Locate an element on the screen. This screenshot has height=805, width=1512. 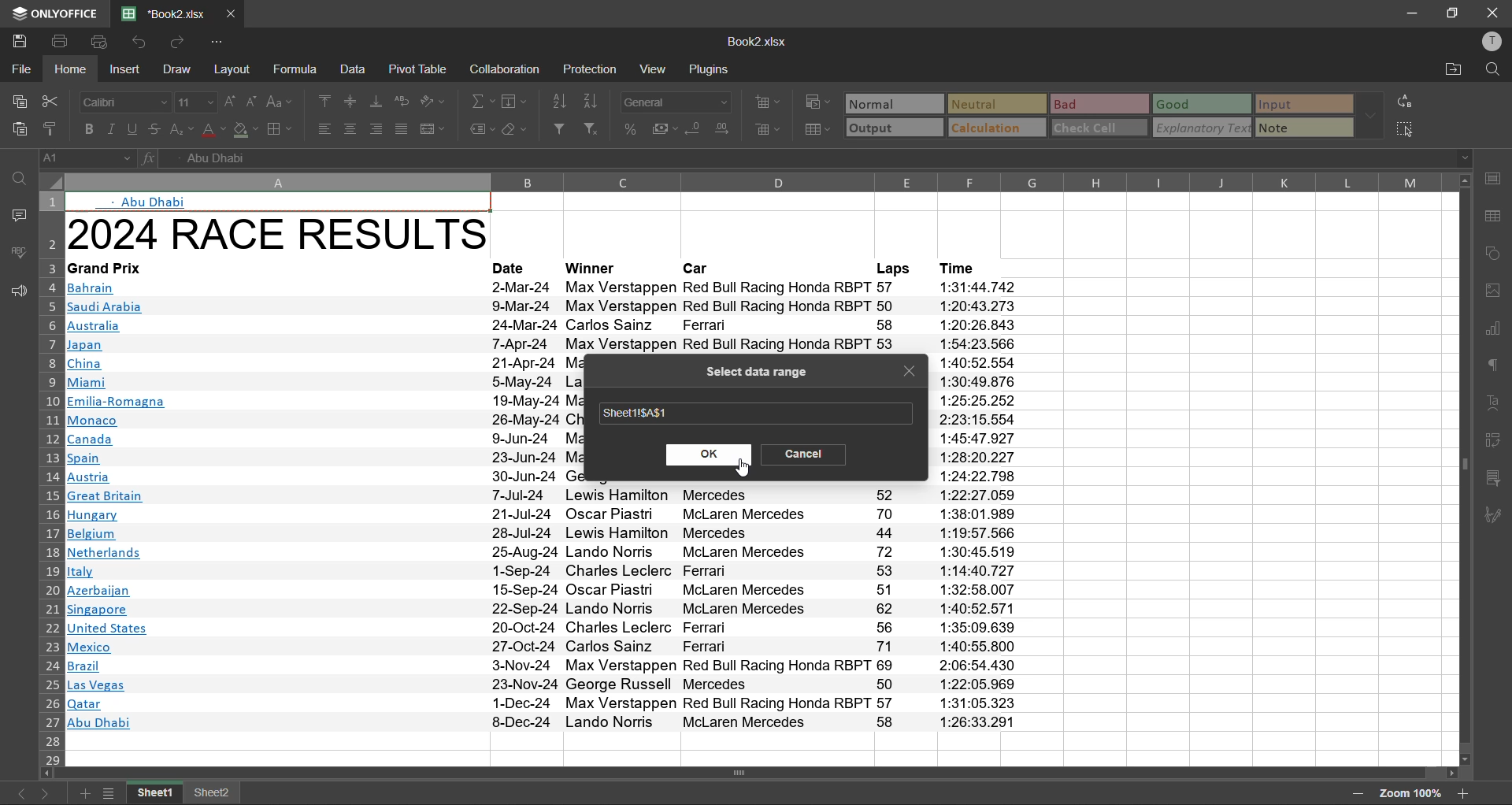
formula bar is located at coordinates (813, 158).